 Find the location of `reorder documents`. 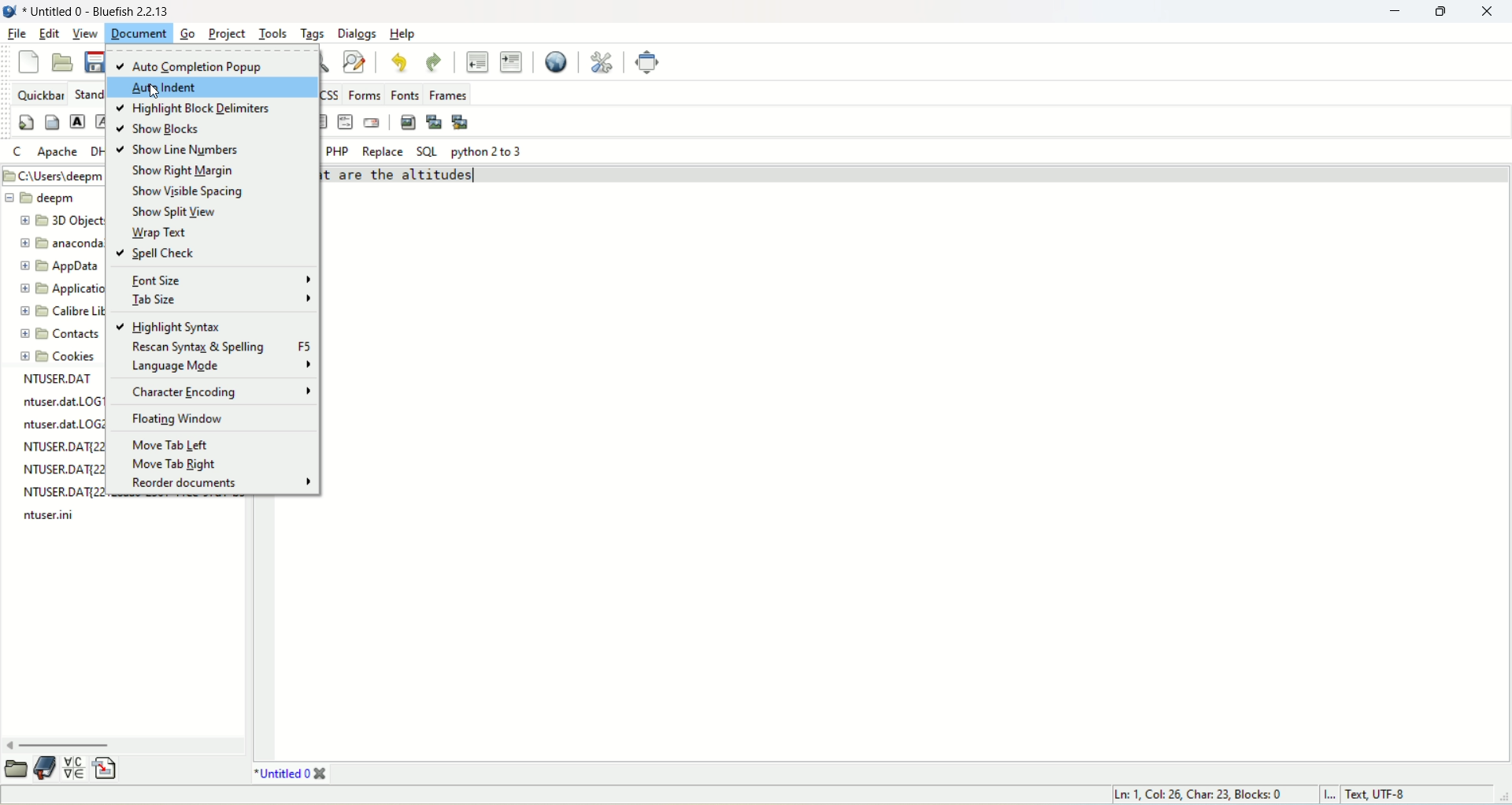

reorder documents is located at coordinates (218, 484).